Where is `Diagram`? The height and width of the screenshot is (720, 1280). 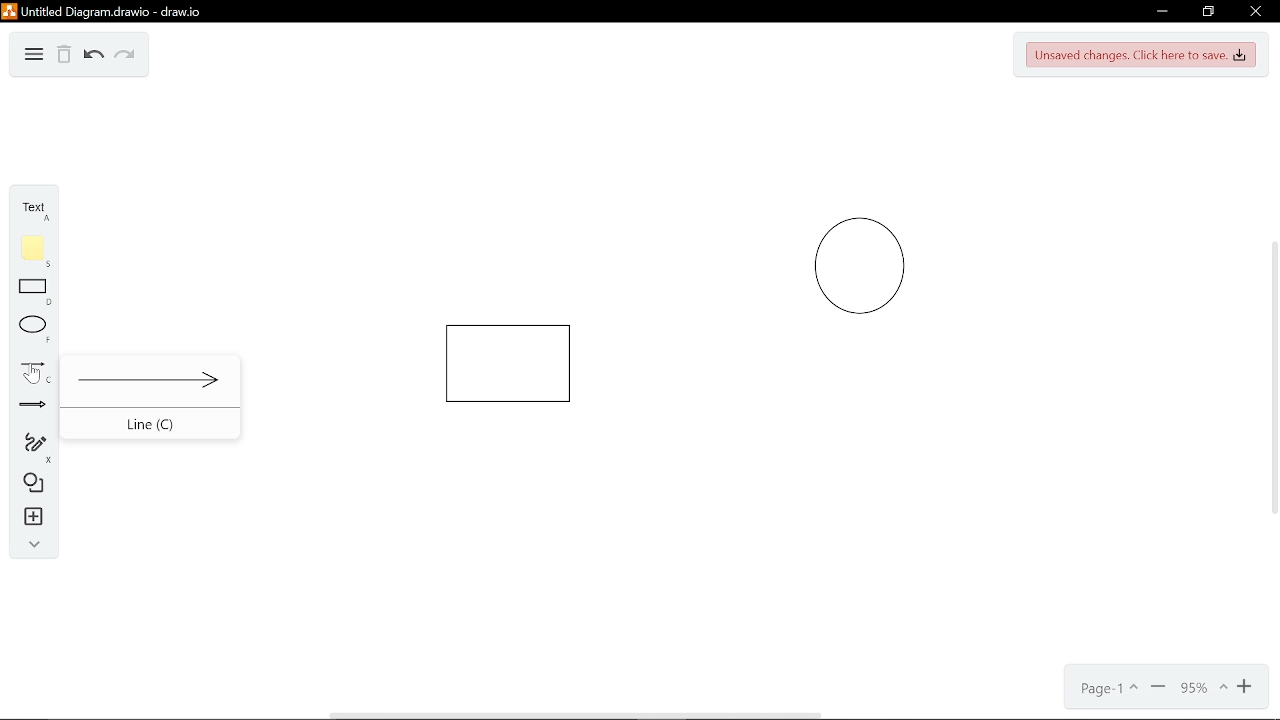
Diagram is located at coordinates (30, 482).